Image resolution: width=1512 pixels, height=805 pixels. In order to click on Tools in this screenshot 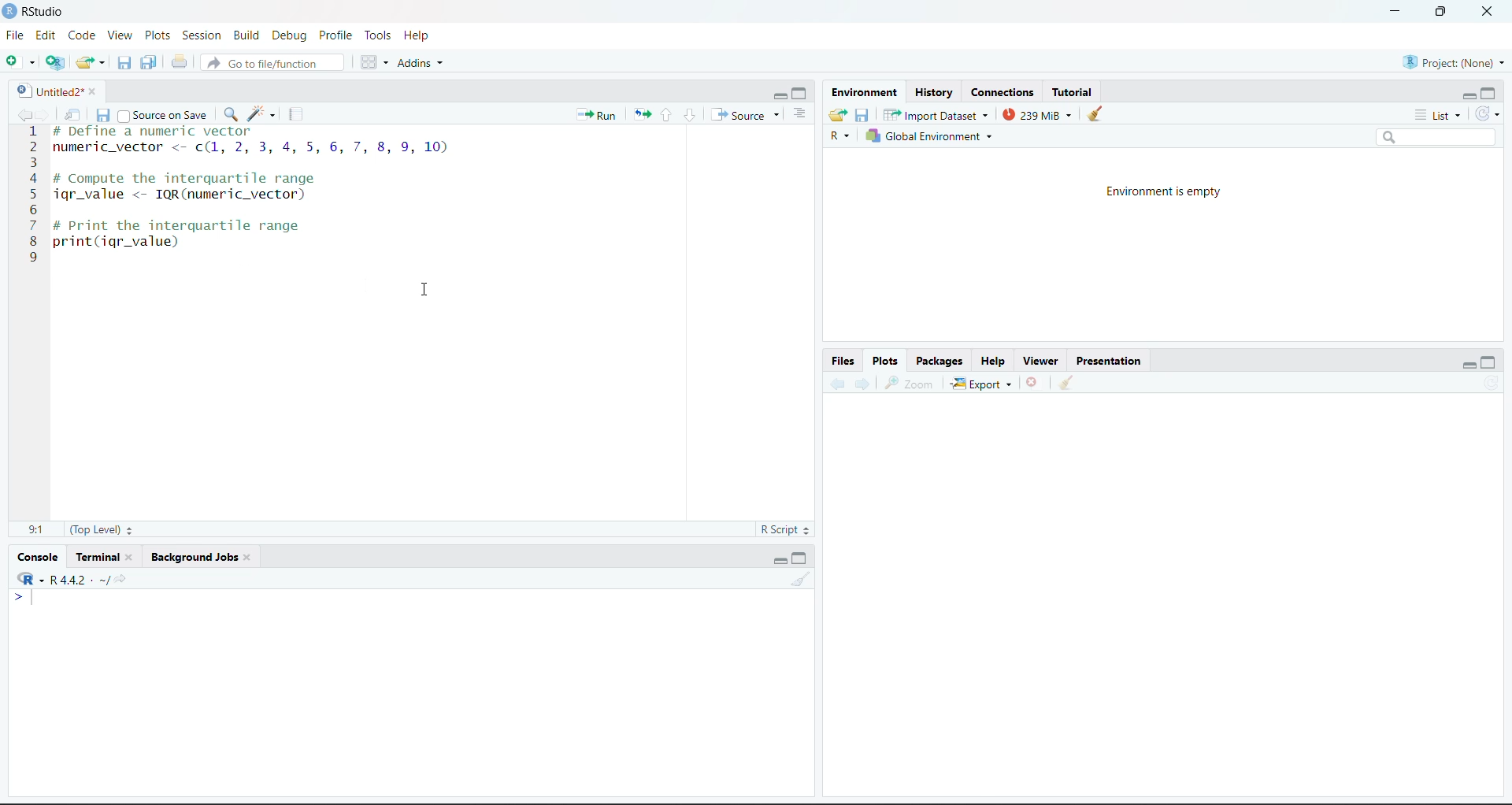, I will do `click(377, 35)`.